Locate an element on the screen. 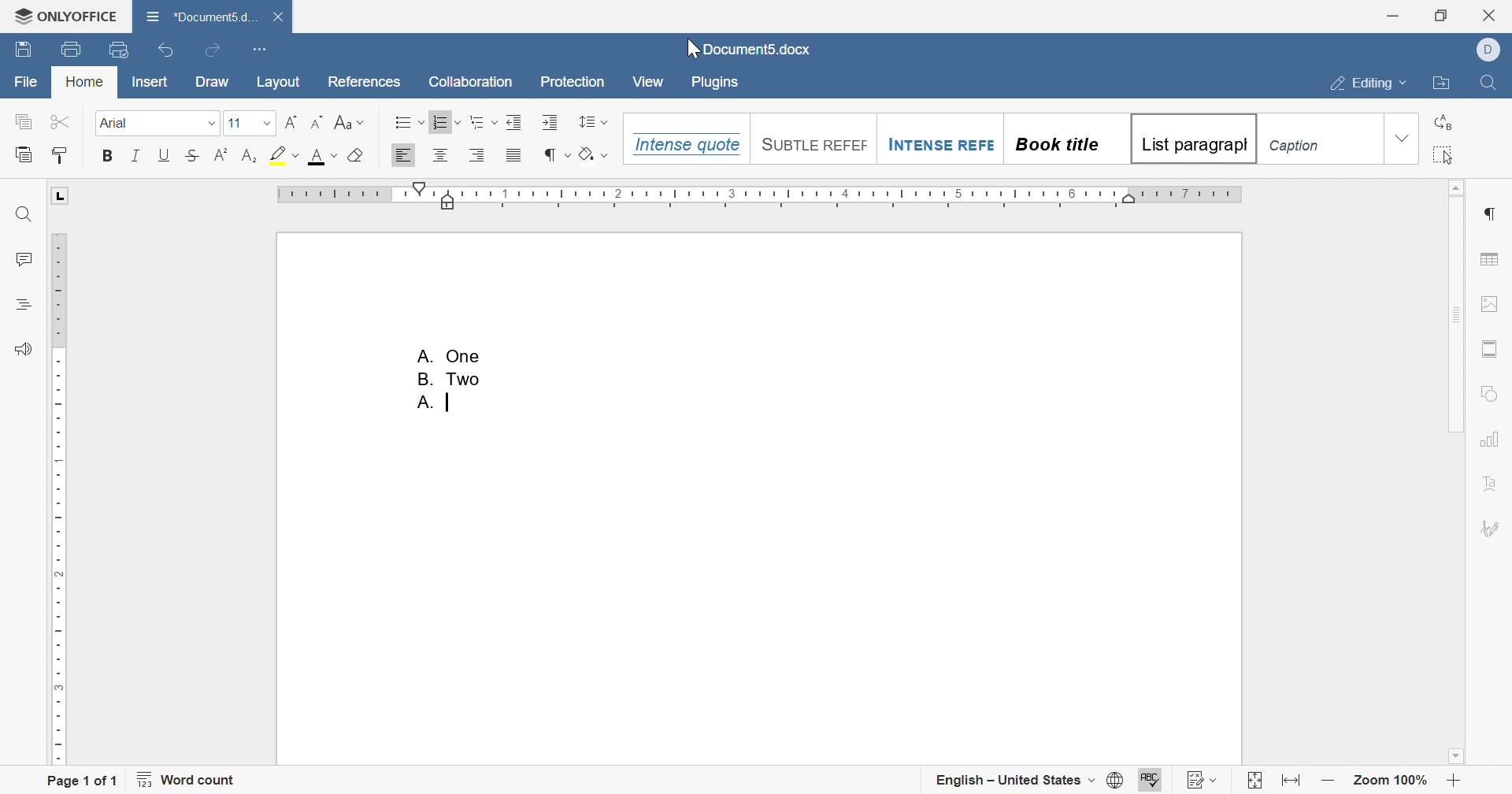 This screenshot has width=1512, height=794. header & footer settings is located at coordinates (1489, 350).